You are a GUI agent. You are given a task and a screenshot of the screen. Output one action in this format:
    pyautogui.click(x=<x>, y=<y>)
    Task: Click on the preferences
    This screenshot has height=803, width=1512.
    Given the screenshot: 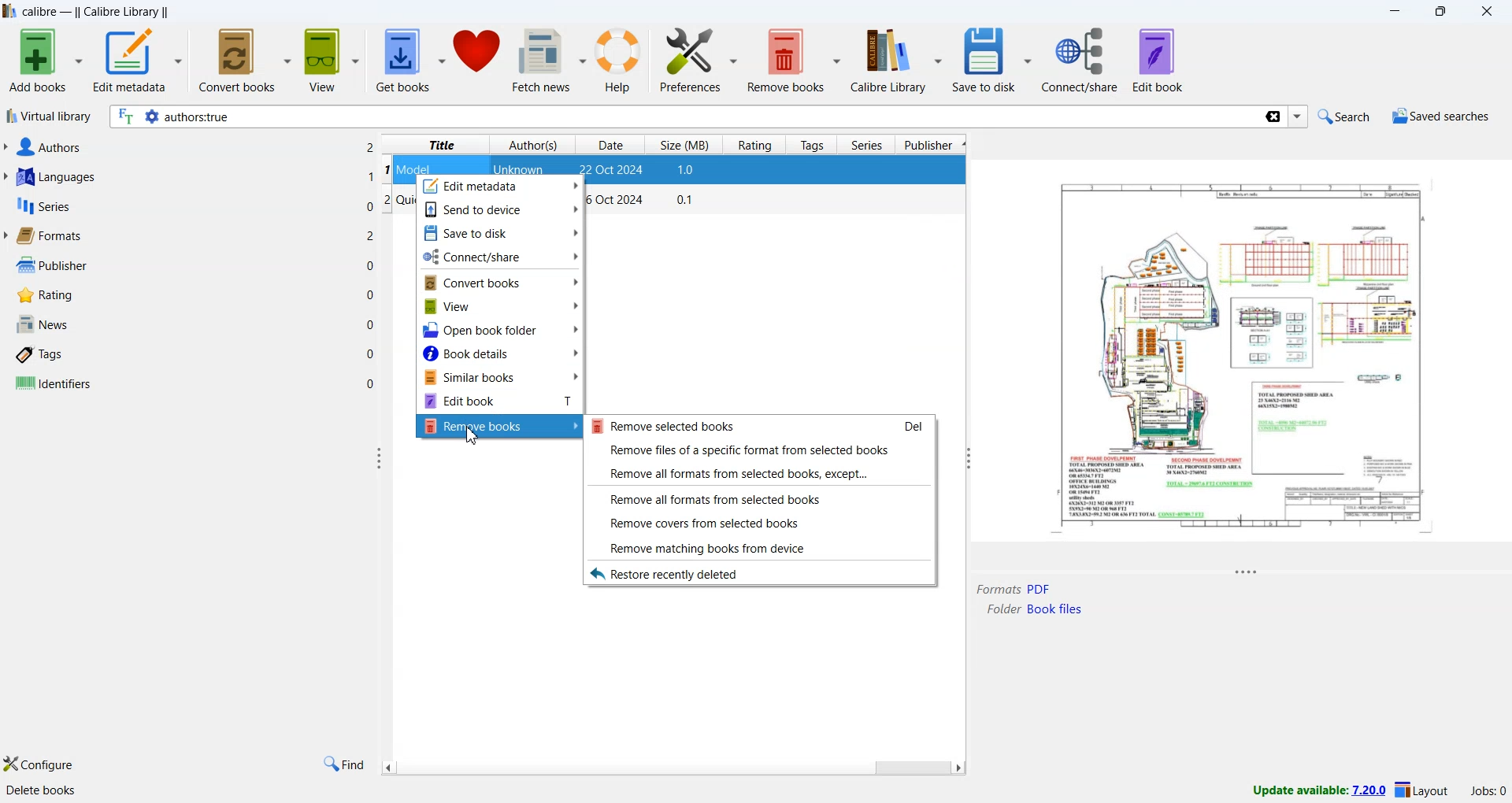 What is the action you would take?
    pyautogui.click(x=699, y=61)
    